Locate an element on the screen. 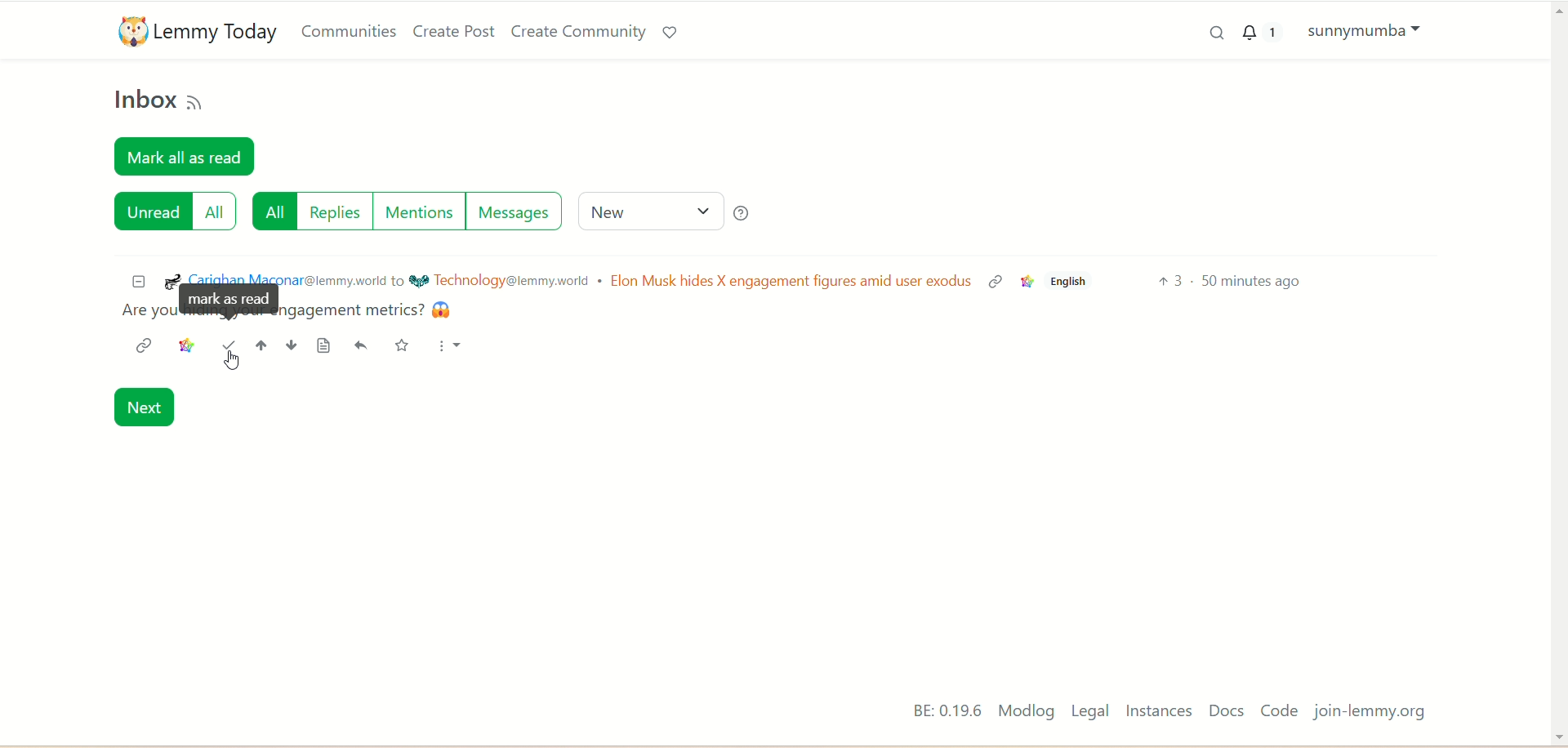 The width and height of the screenshot is (1568, 748). messages is located at coordinates (513, 212).